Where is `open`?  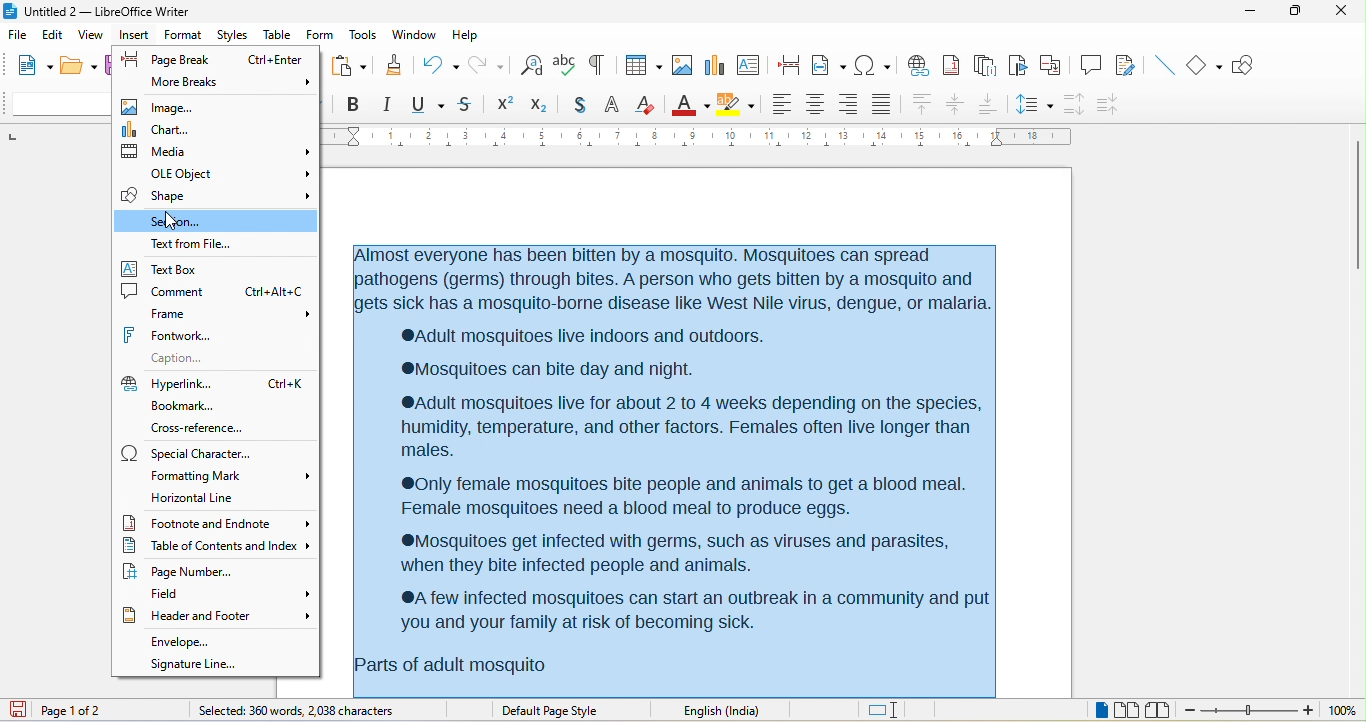
open is located at coordinates (78, 64).